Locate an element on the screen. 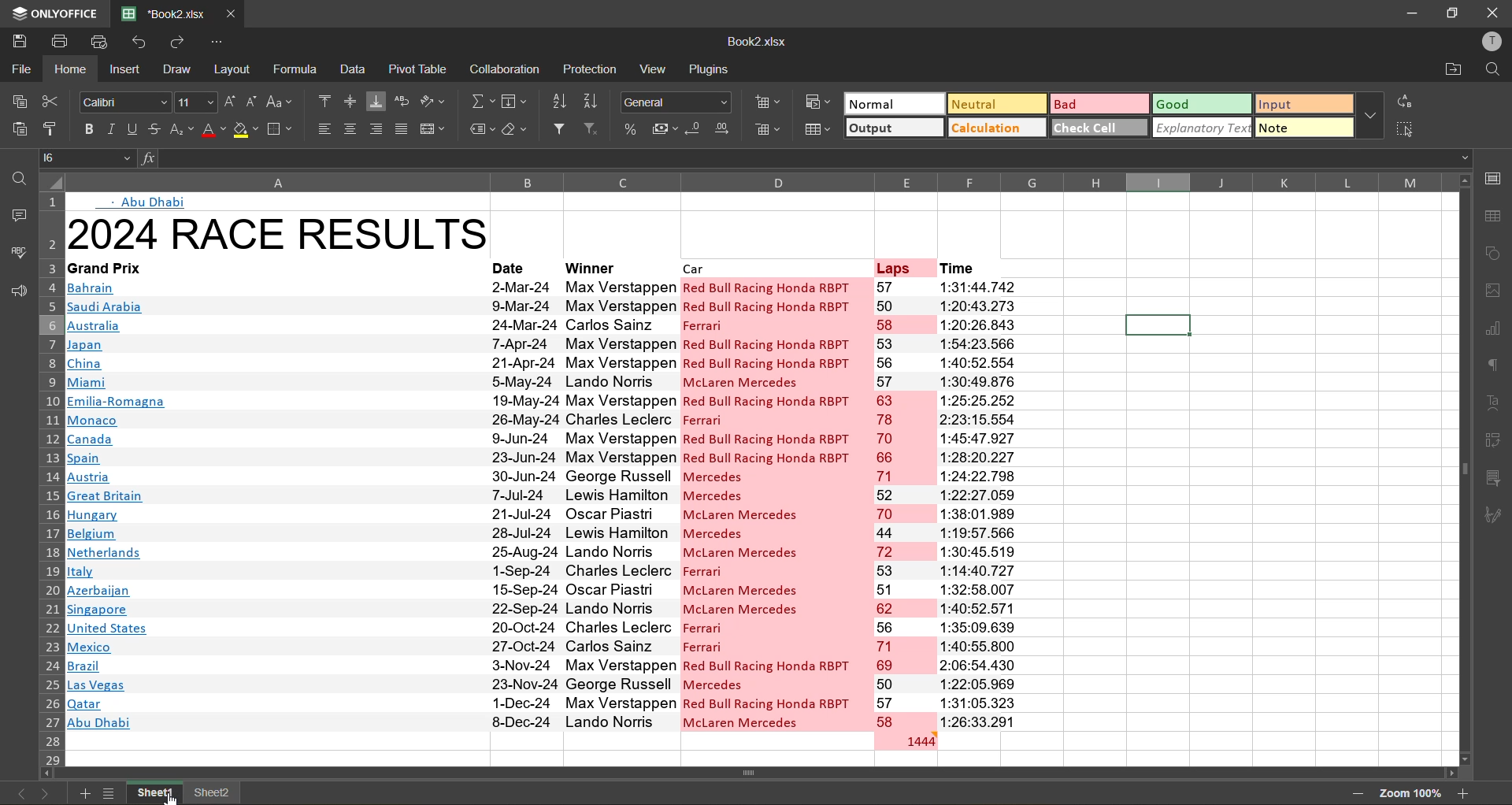  format as table is located at coordinates (816, 129).